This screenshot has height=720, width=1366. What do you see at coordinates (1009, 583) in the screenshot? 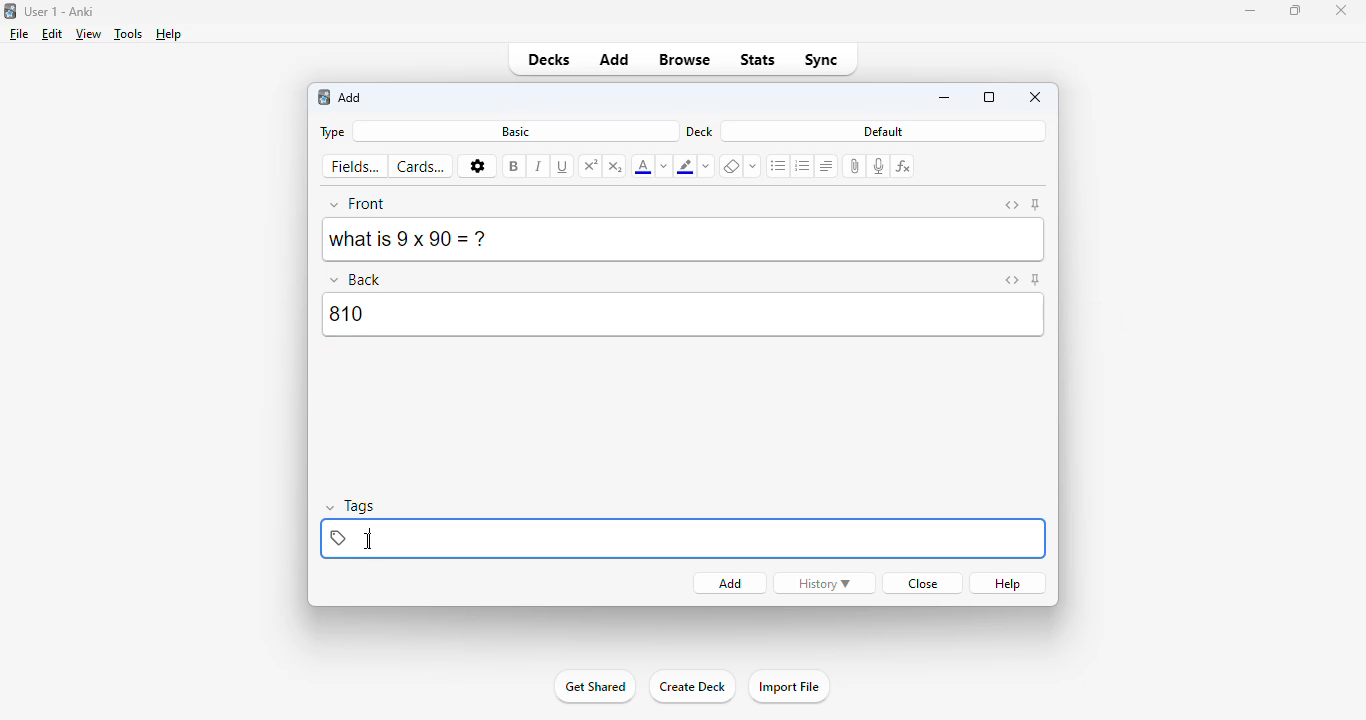
I see `help` at bounding box center [1009, 583].